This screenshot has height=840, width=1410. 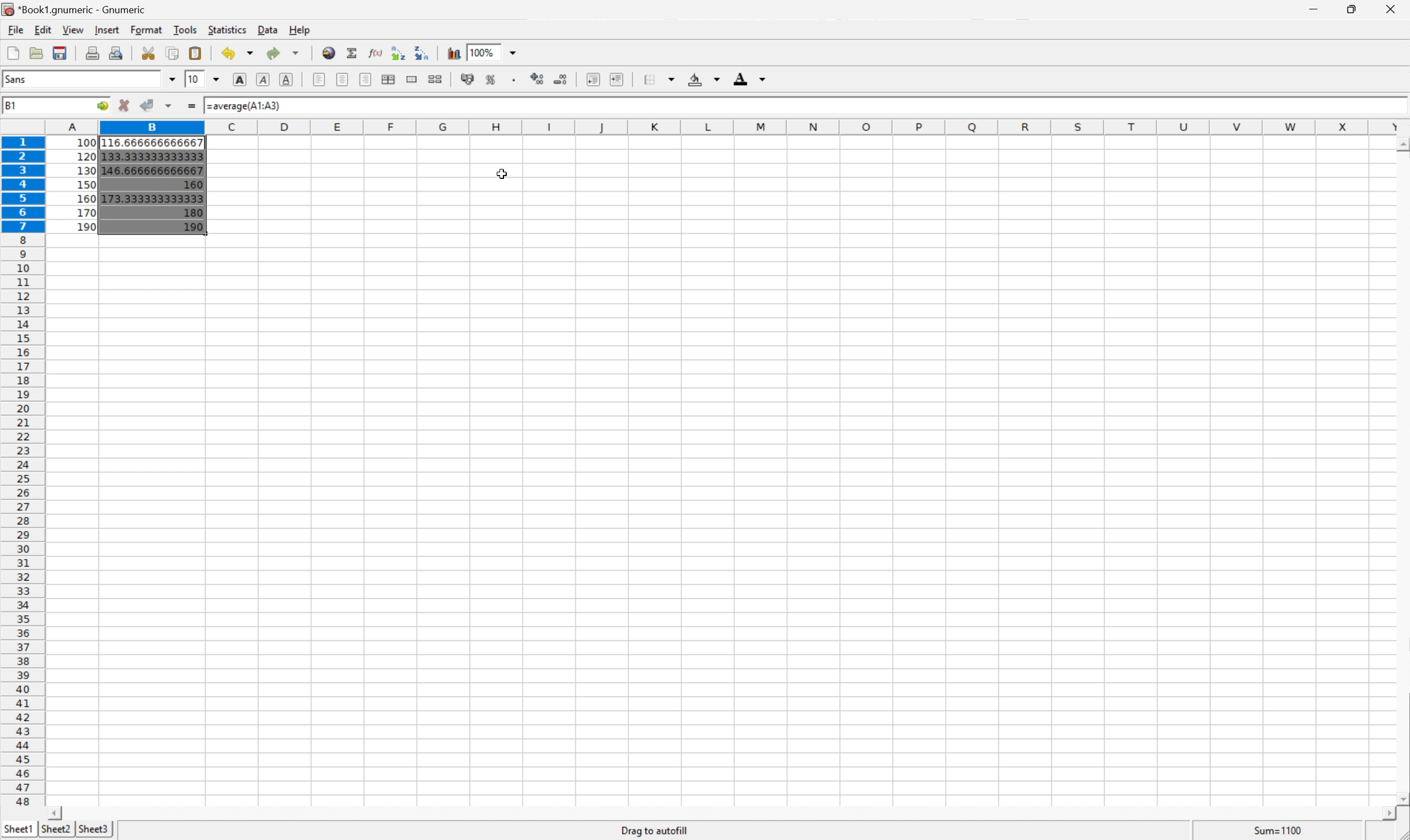 What do you see at coordinates (423, 53) in the screenshot?
I see `Sort the selected region in descending order based on the first column selected` at bounding box center [423, 53].